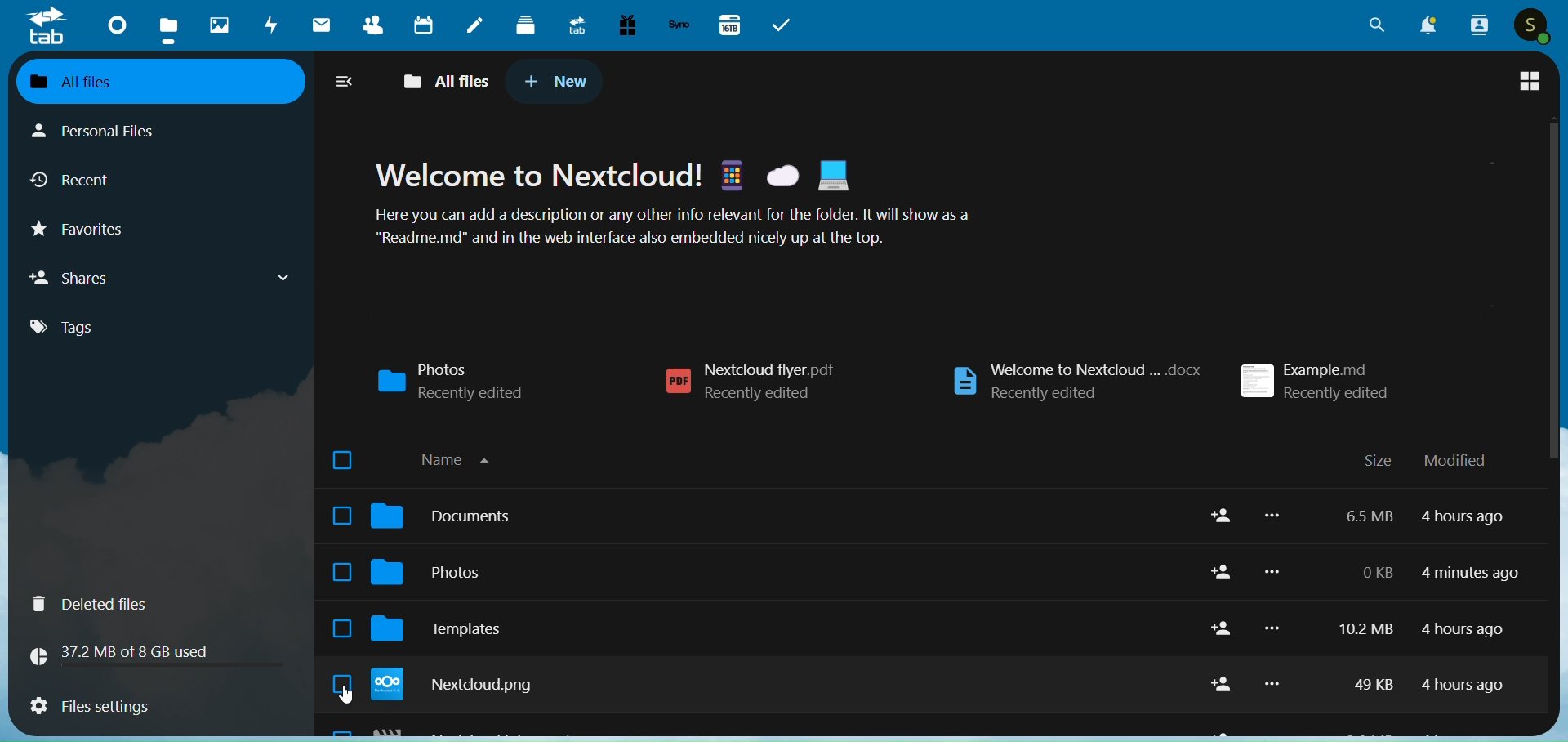 This screenshot has height=742, width=1568. I want to click on 37.2 MB of 8 GB used, so click(155, 655).